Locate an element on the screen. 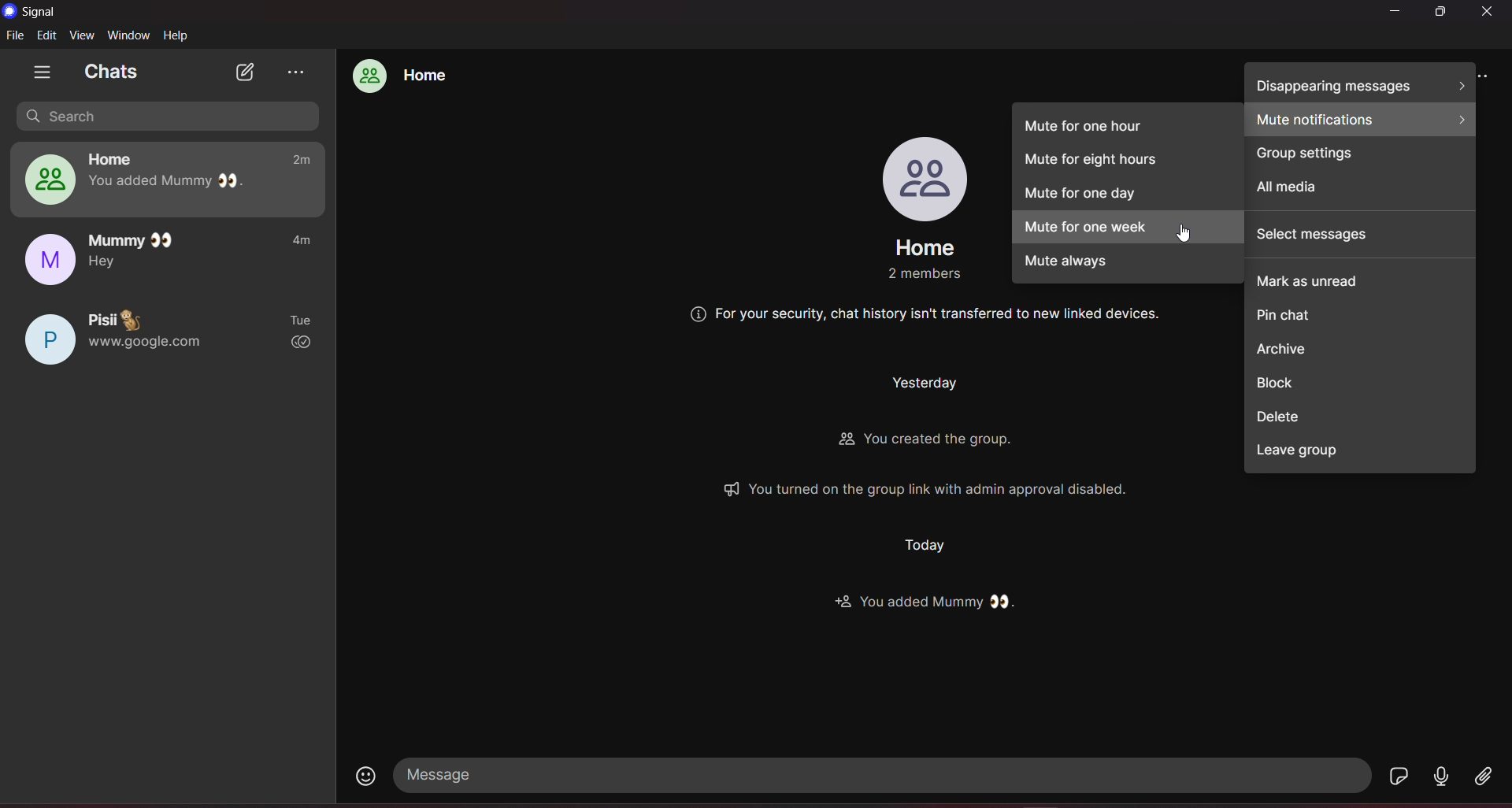 This screenshot has width=1512, height=808. file is located at coordinates (16, 36).